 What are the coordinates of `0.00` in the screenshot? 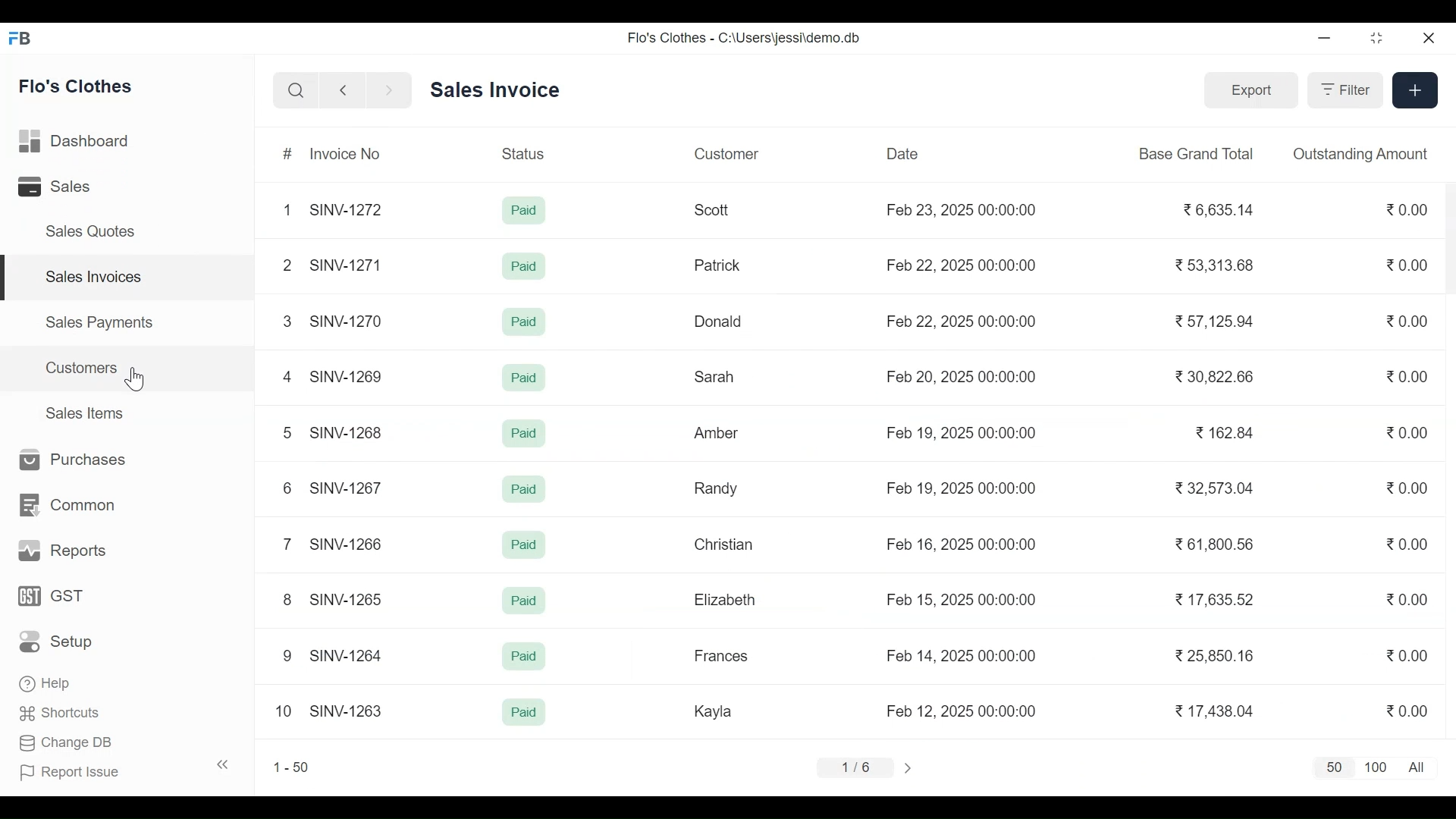 It's located at (1406, 433).